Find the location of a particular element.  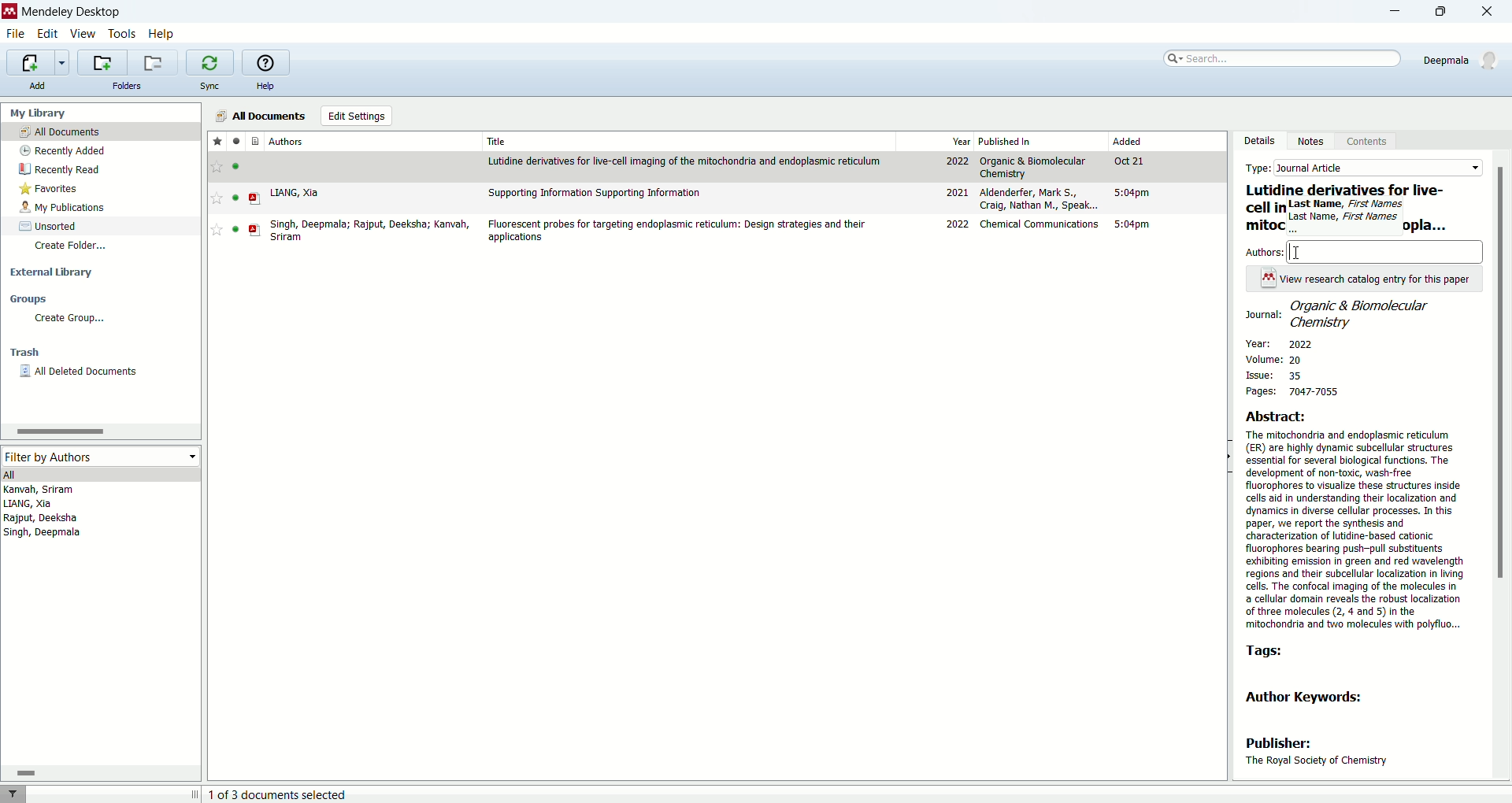

file is located at coordinates (18, 34).